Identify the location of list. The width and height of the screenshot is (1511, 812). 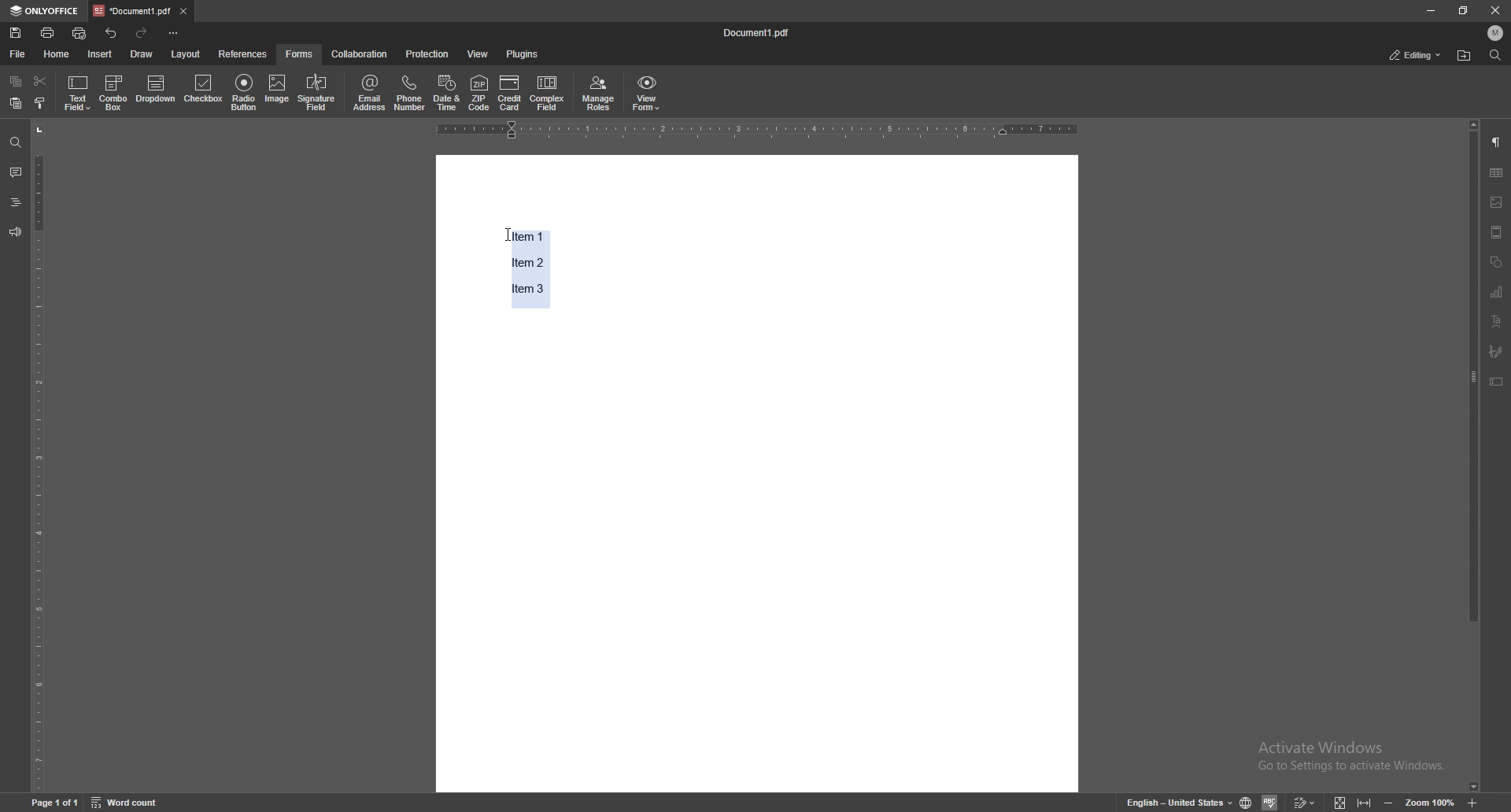
(533, 267).